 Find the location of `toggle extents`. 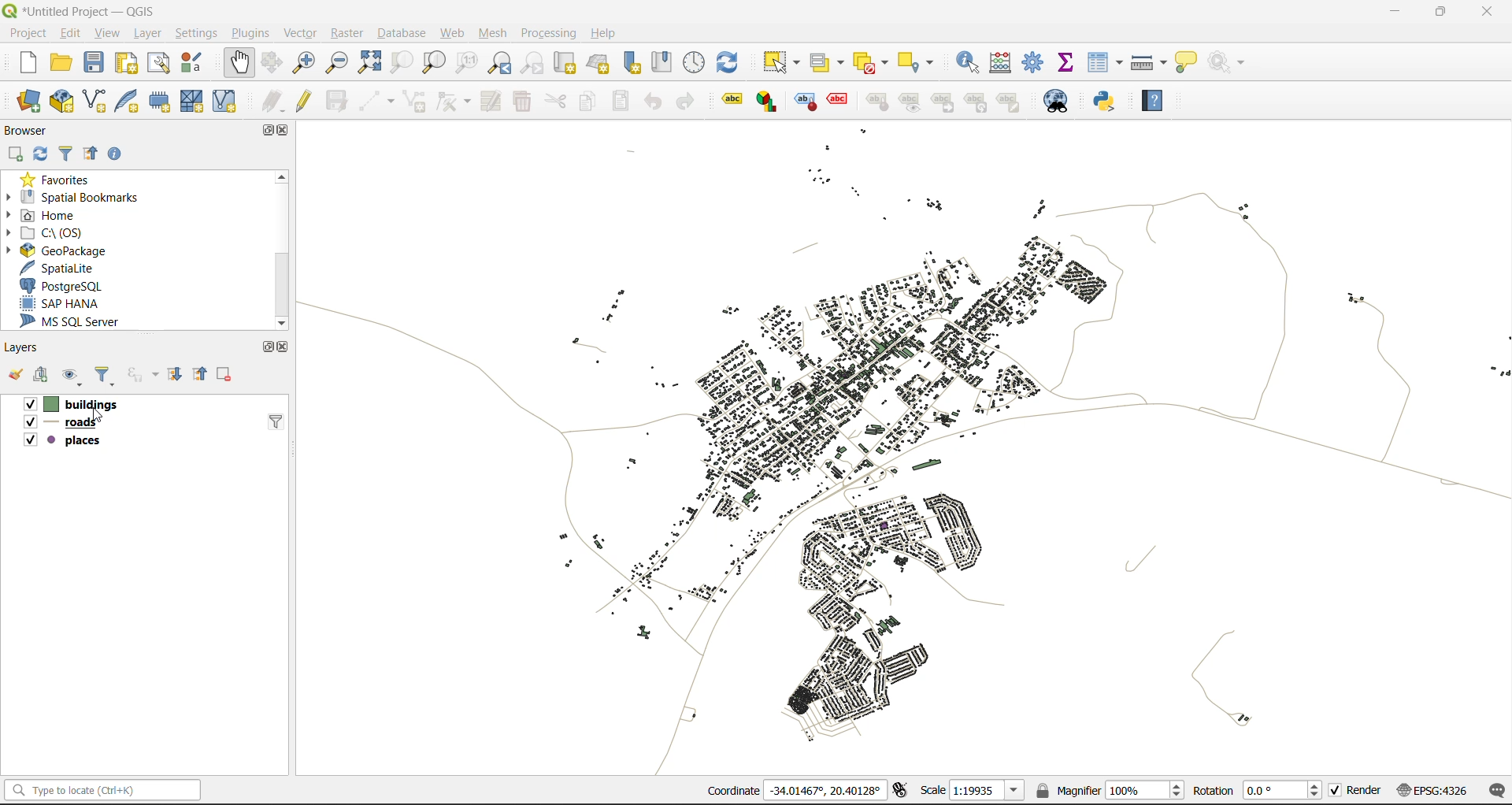

toggle extents is located at coordinates (903, 791).